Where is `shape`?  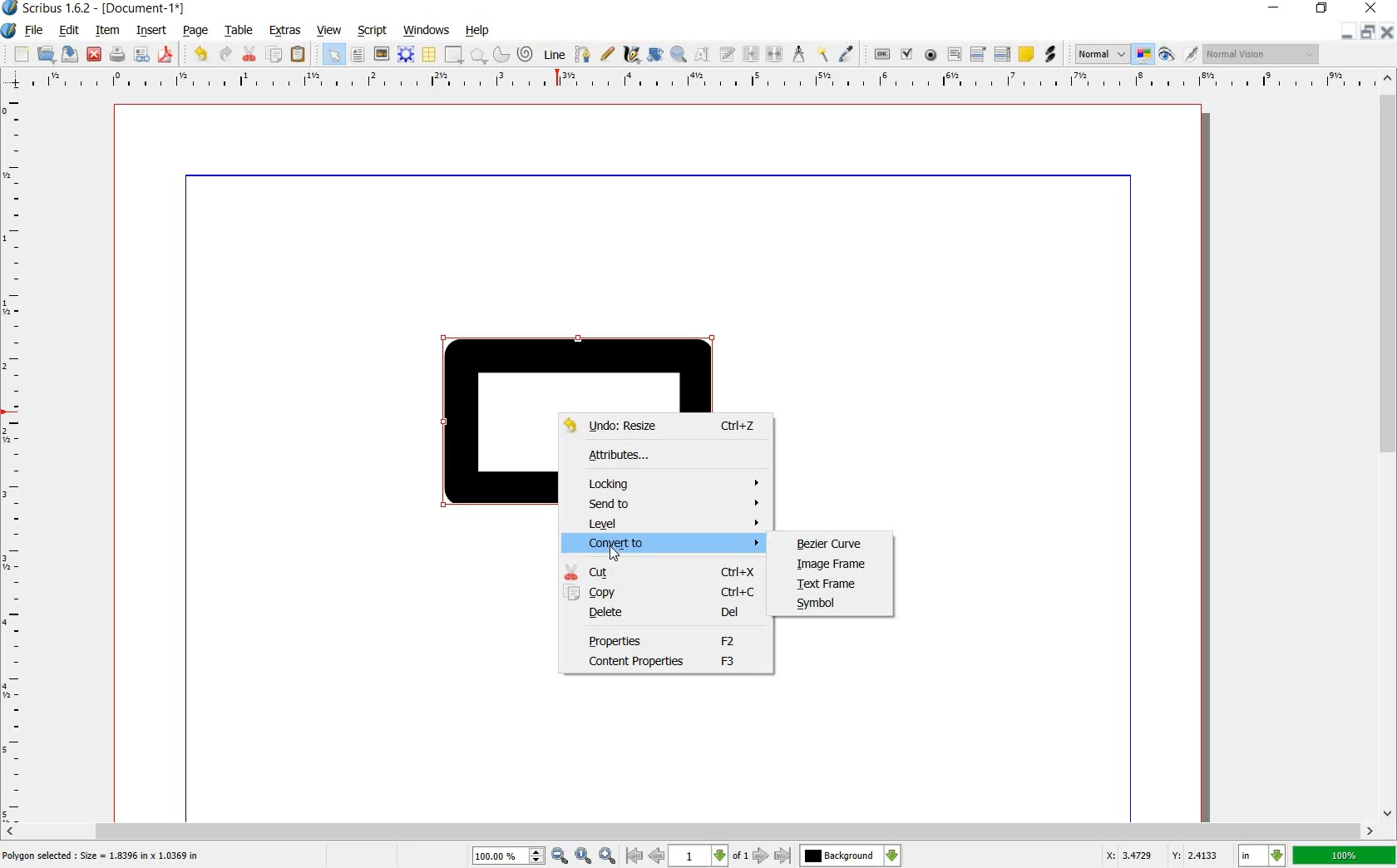 shape is located at coordinates (485, 462).